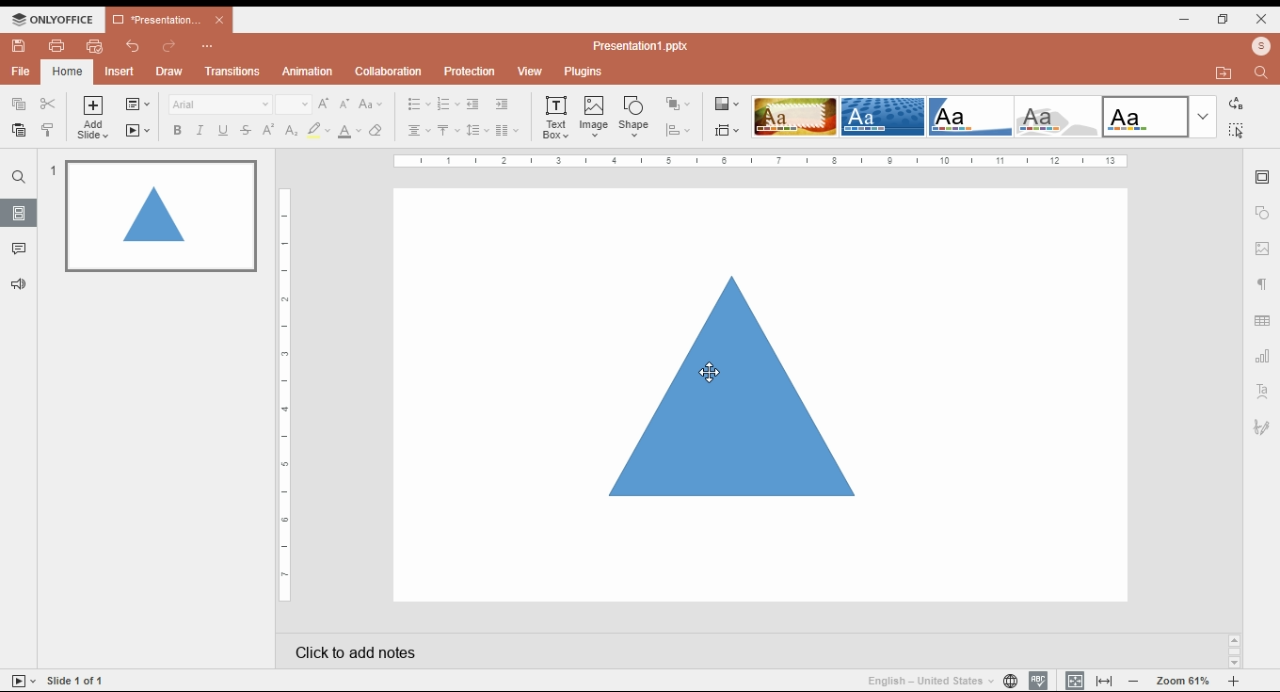  I want to click on search, so click(21, 176).